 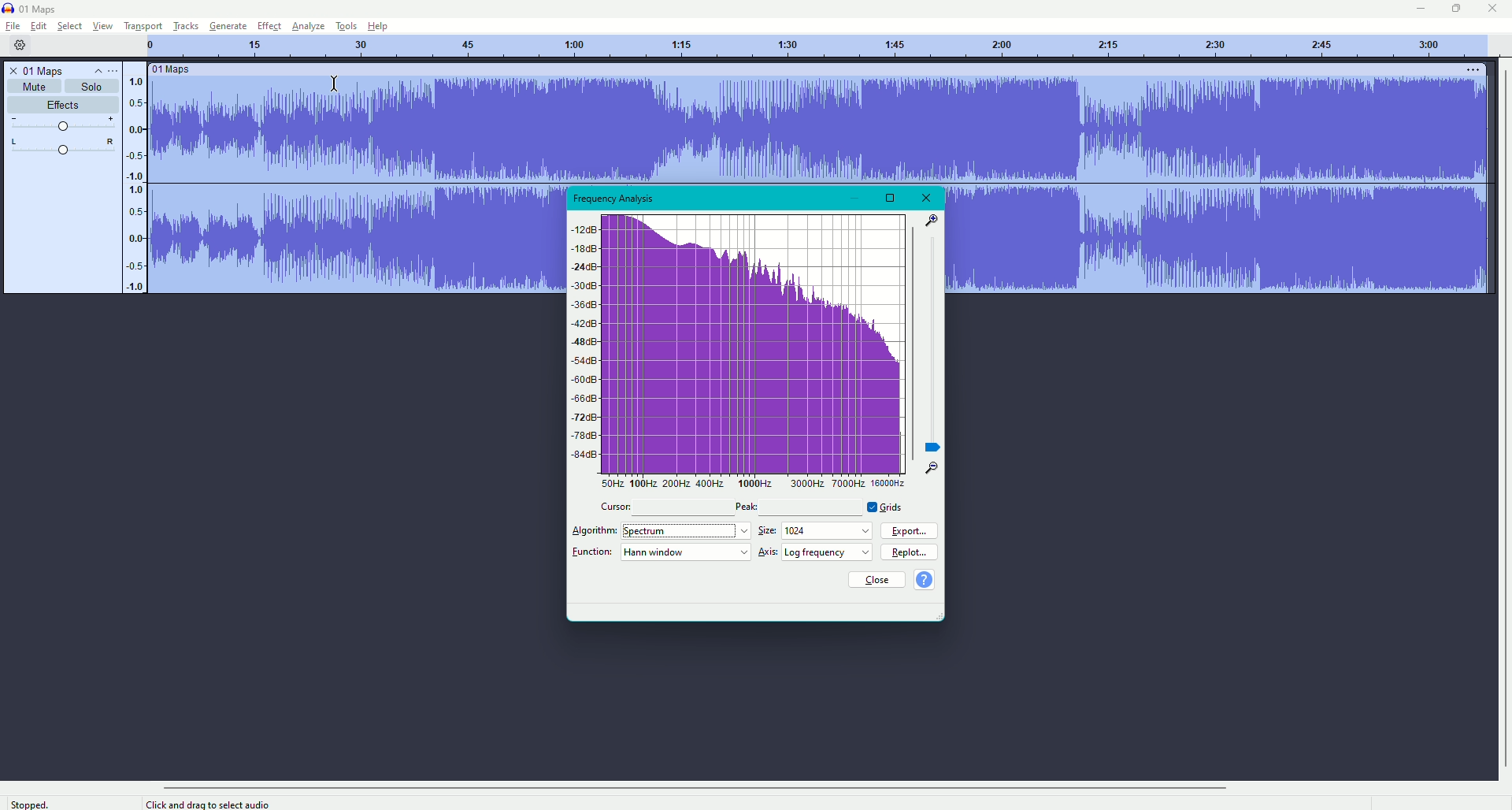 What do you see at coordinates (744, 351) in the screenshot?
I see `Graph` at bounding box center [744, 351].